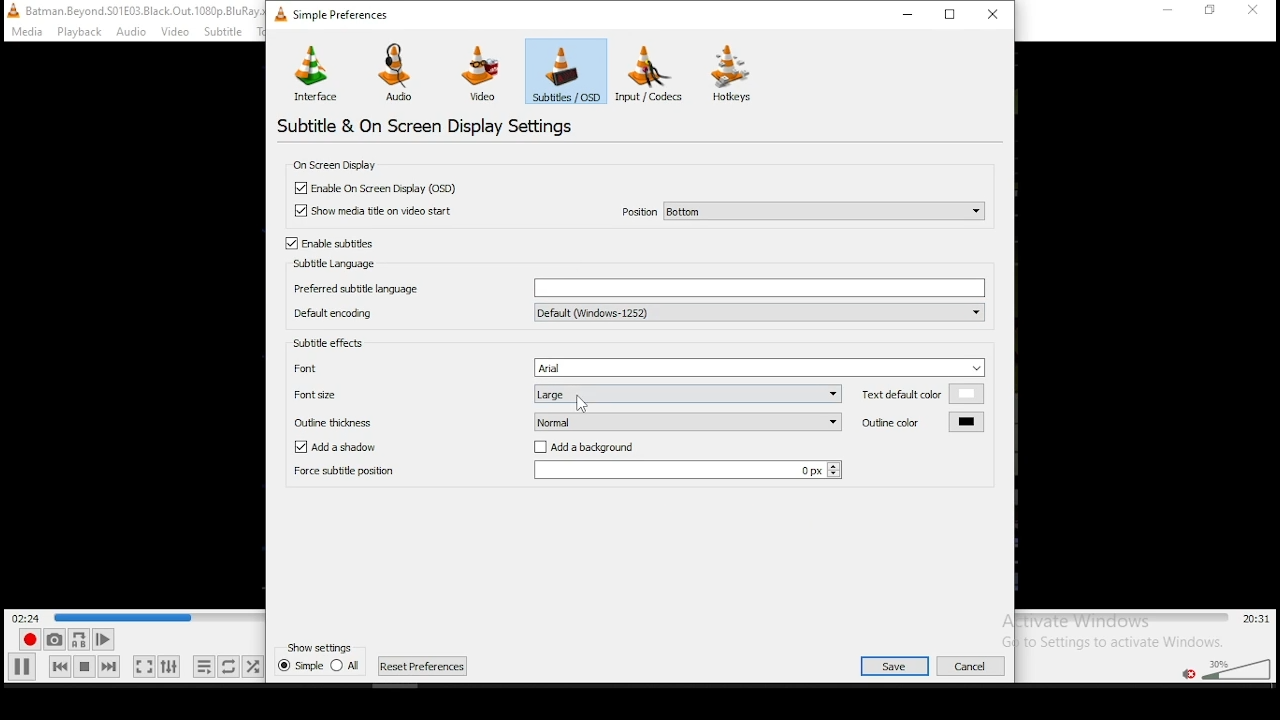 The width and height of the screenshot is (1280, 720). Describe the element at coordinates (895, 666) in the screenshot. I see `save` at that location.